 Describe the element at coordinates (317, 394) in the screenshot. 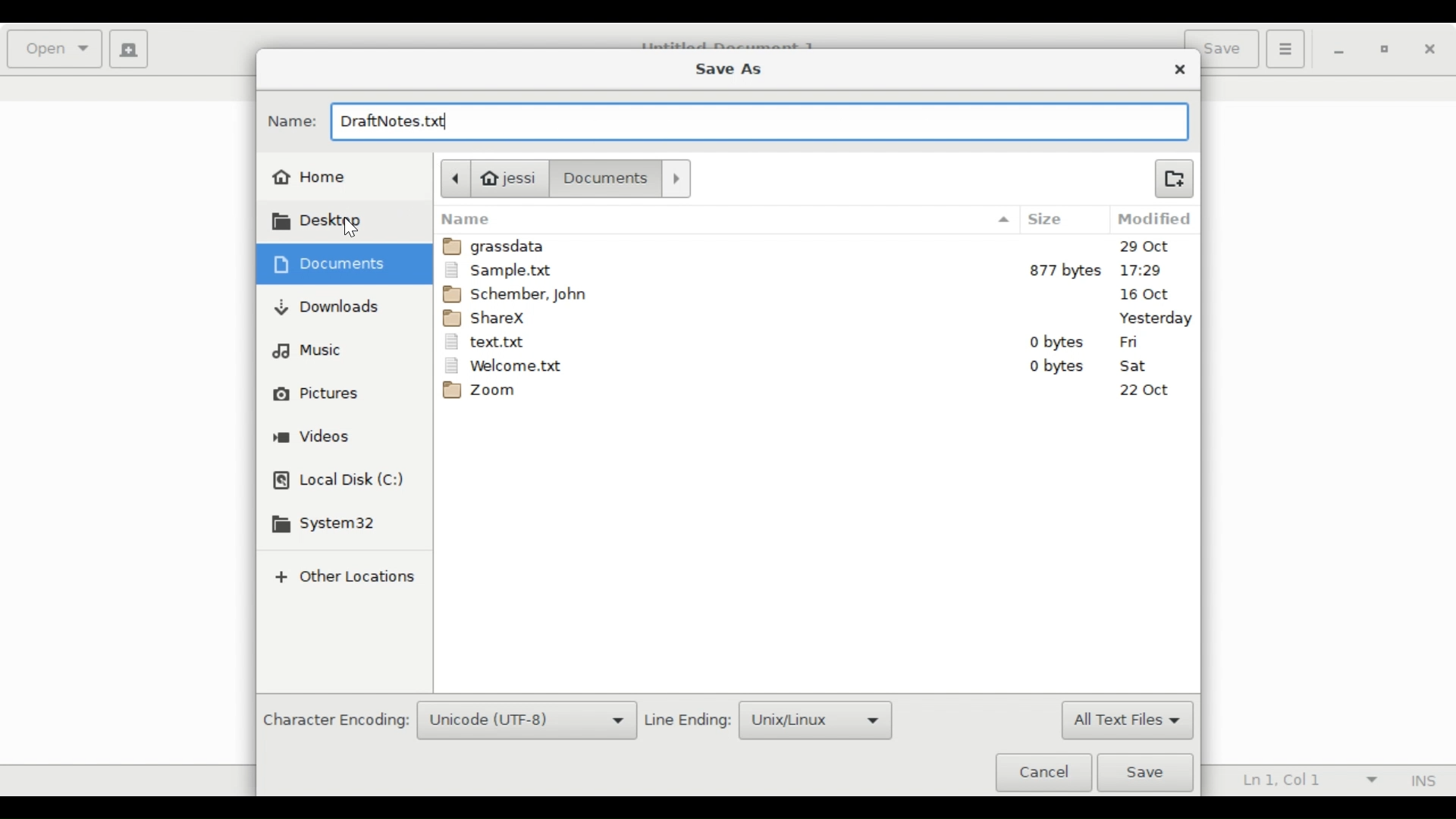

I see `Pictures` at that location.